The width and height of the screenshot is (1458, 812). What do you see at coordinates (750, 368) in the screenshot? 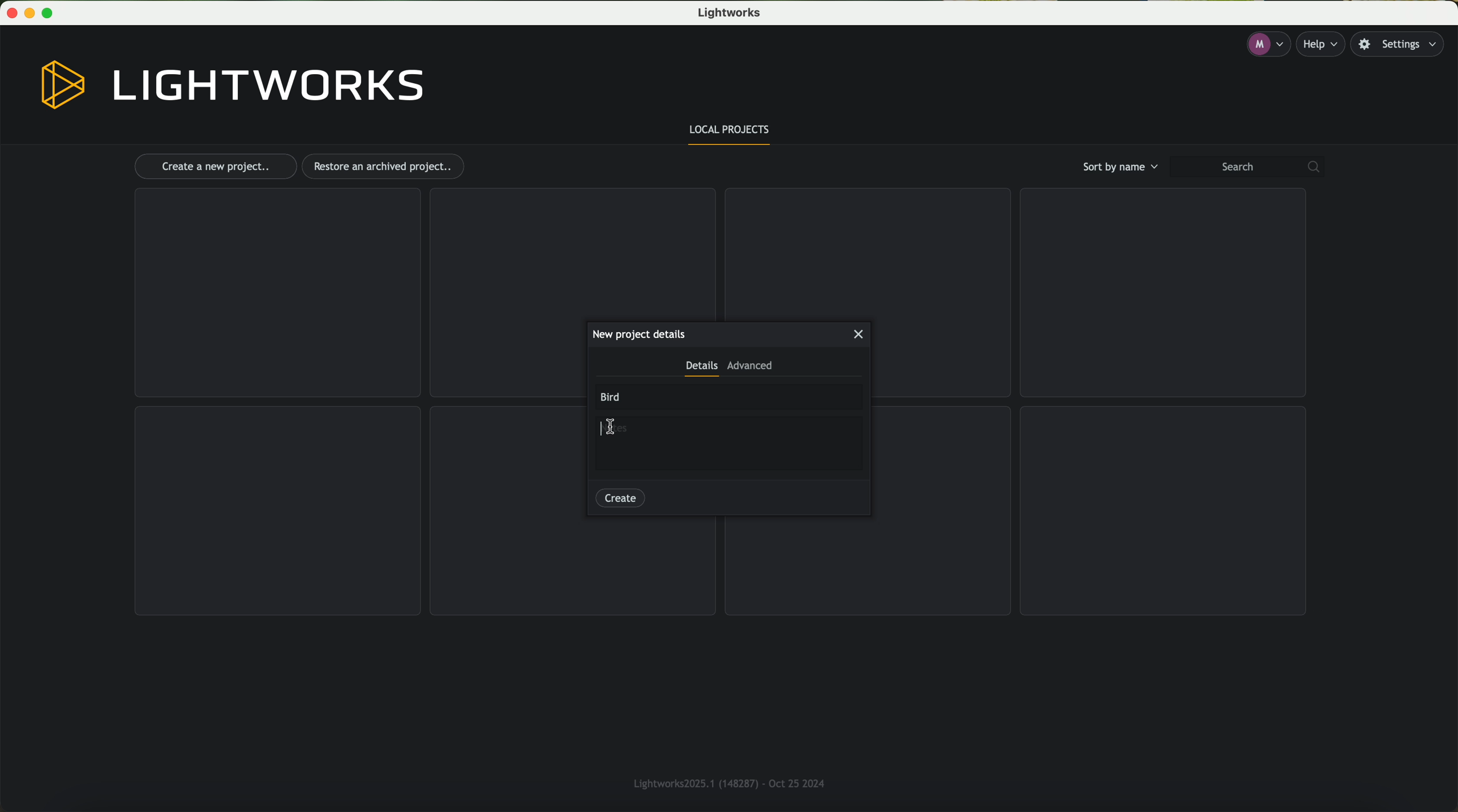
I see `advanced` at bounding box center [750, 368].